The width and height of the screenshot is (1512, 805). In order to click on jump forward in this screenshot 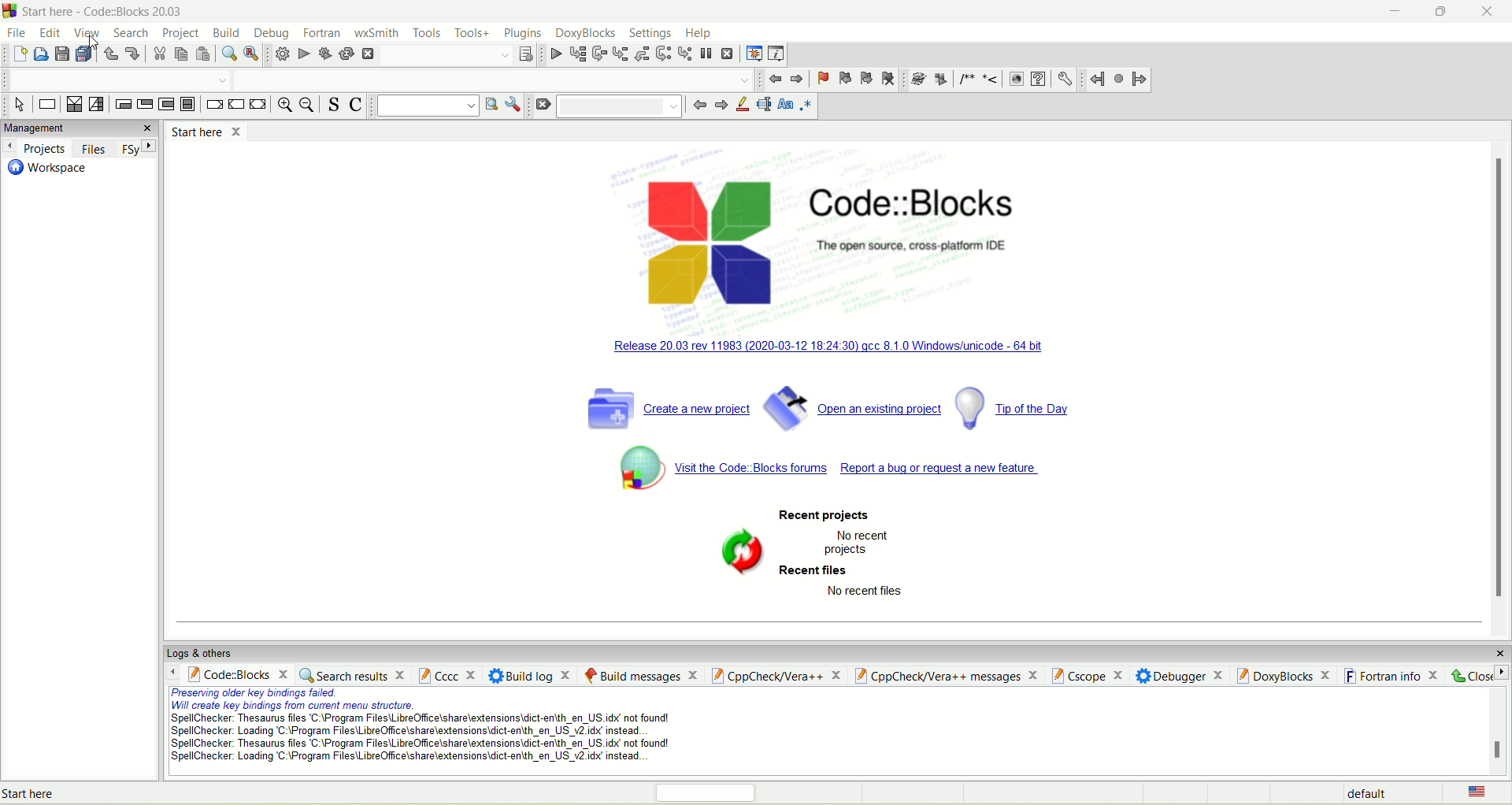, I will do `click(1137, 80)`.